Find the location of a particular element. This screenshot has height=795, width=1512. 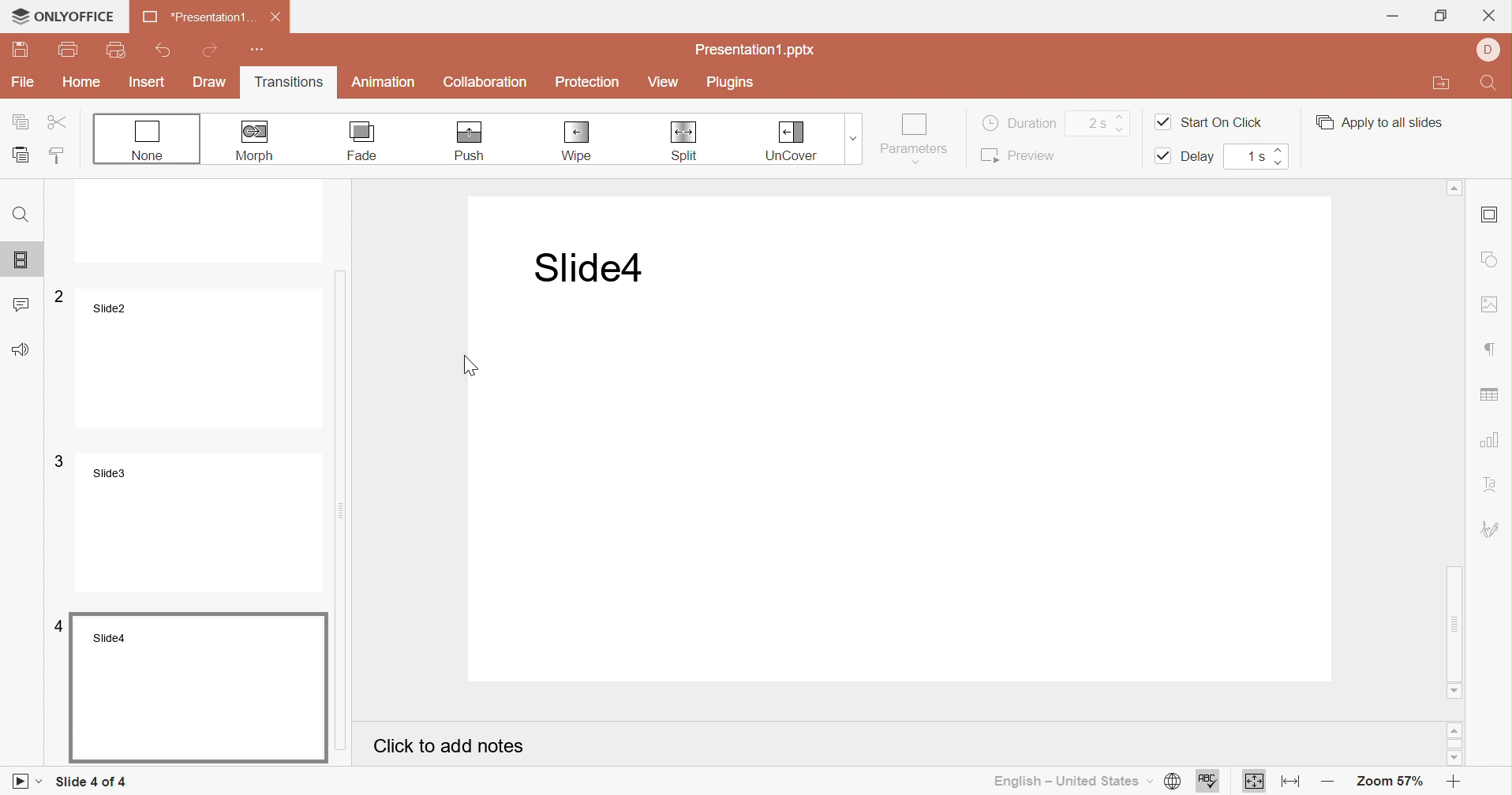

Scroll down is located at coordinates (1458, 761).